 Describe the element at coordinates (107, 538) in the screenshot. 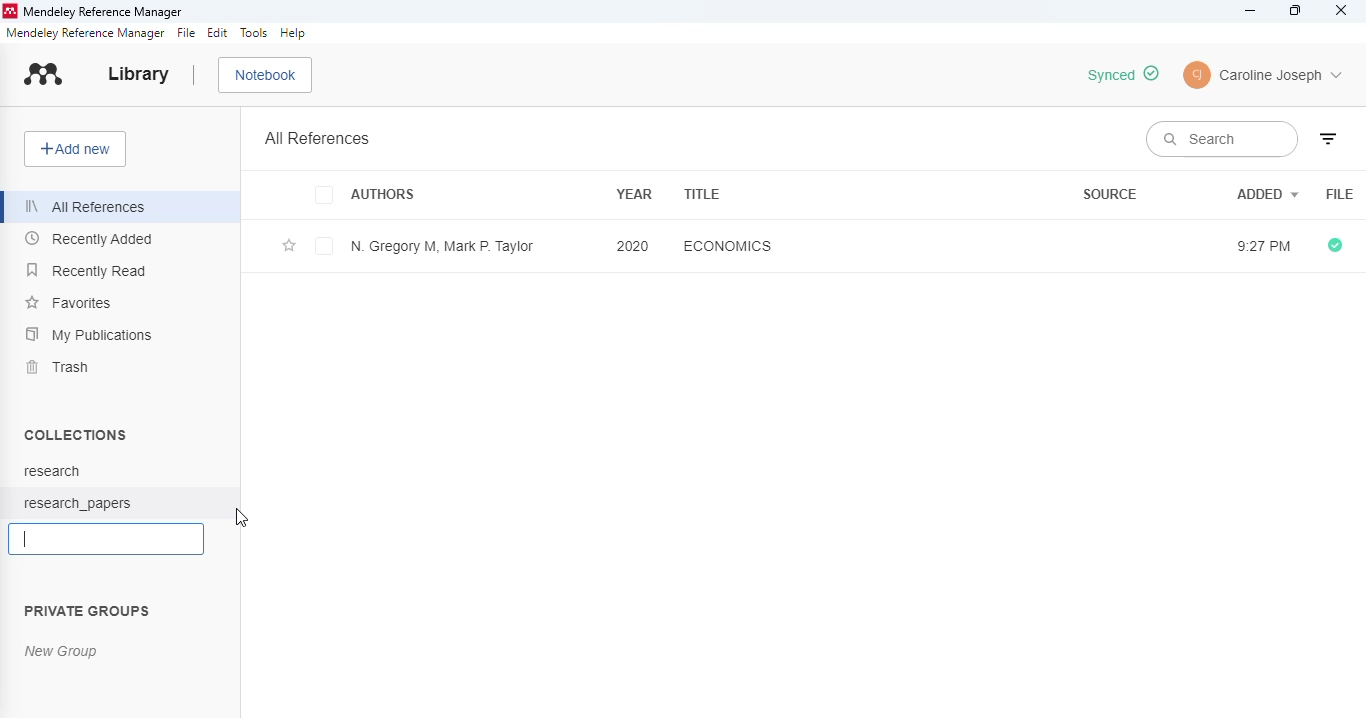

I see `new collection` at that location.